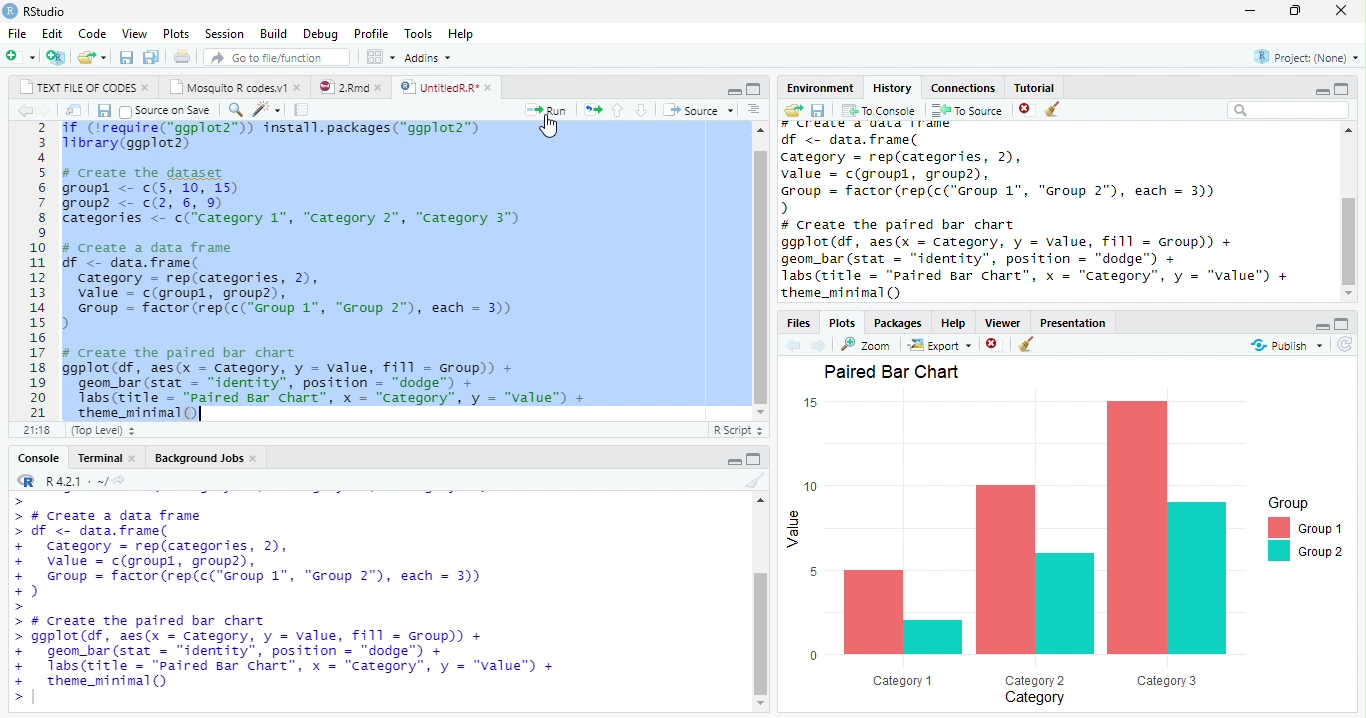 The height and width of the screenshot is (718, 1366). I want to click on code, so click(89, 32).